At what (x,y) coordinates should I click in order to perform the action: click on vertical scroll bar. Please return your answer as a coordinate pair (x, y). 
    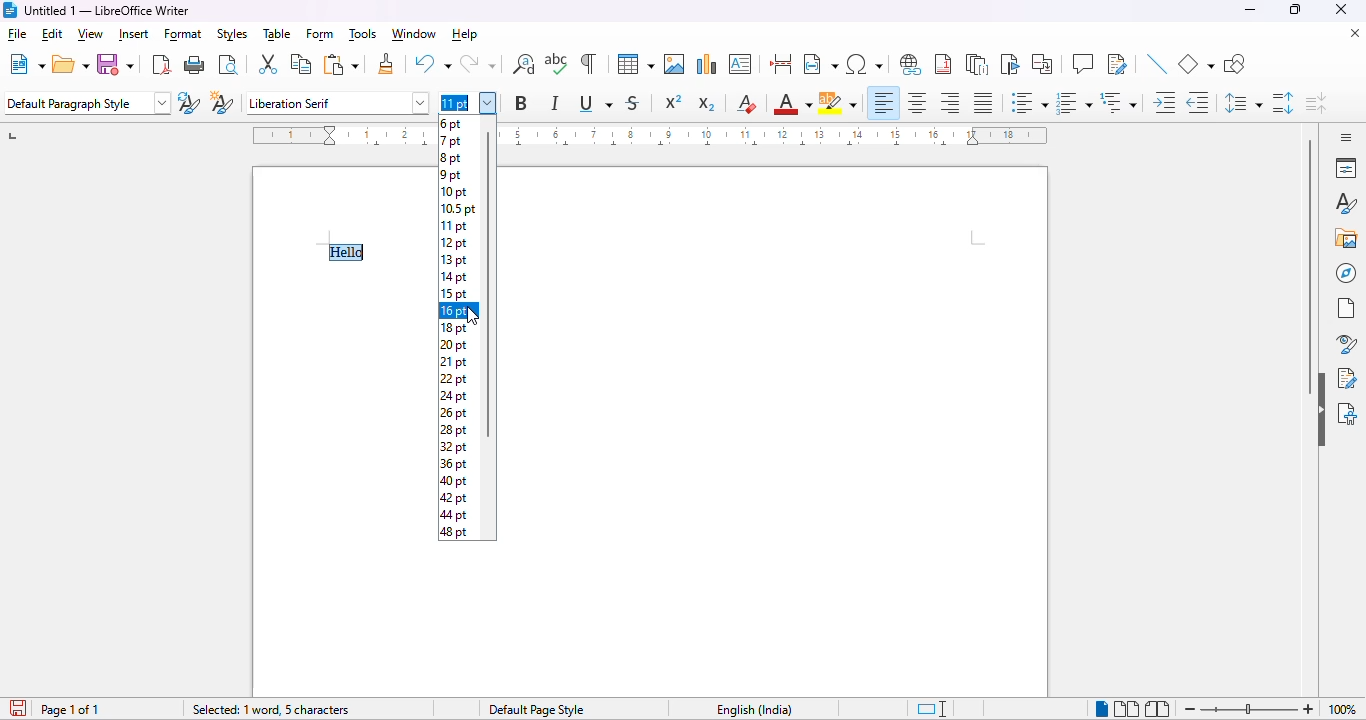
    Looking at the image, I should click on (1311, 267).